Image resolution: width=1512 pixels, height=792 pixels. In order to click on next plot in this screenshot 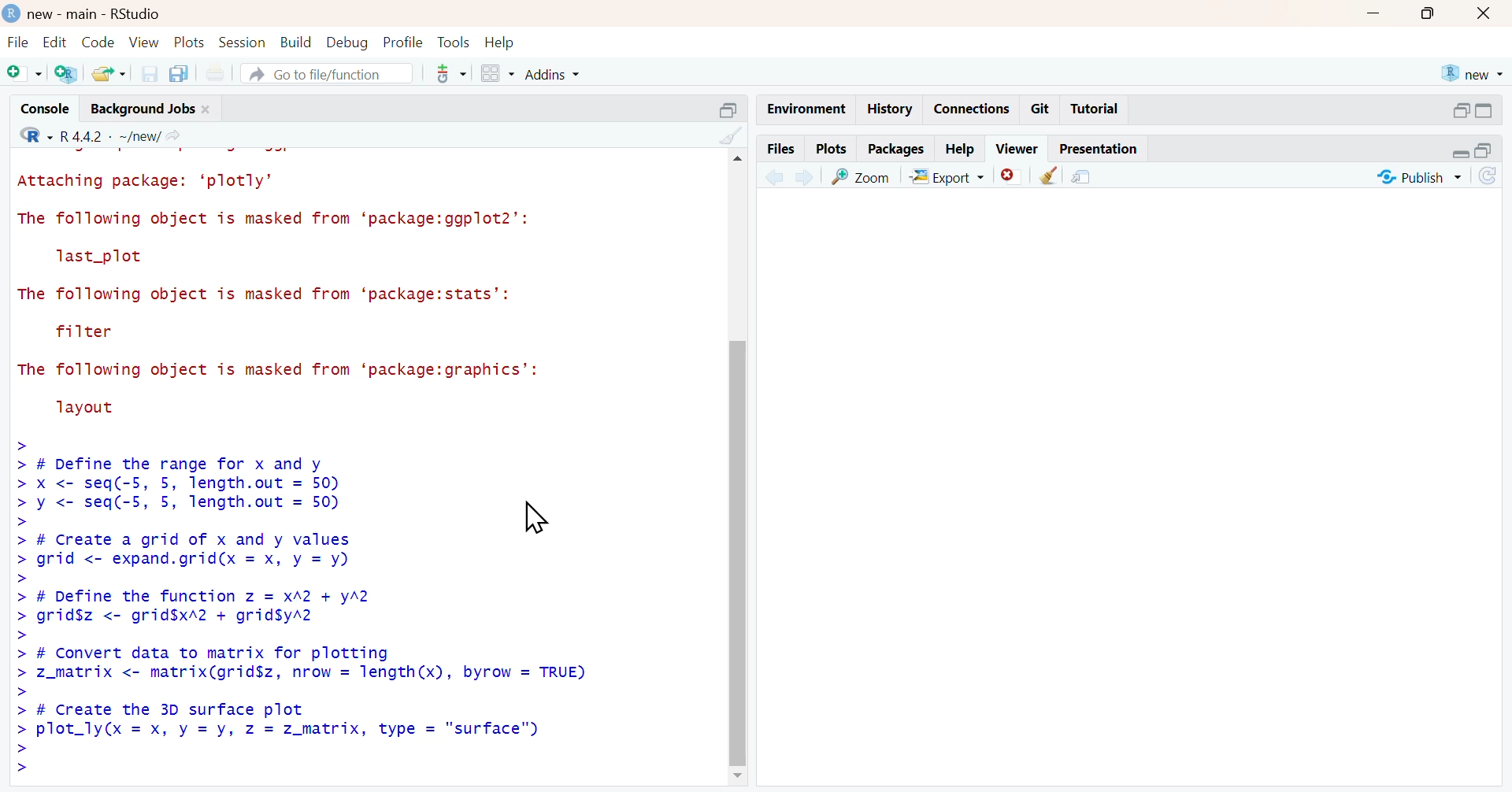, I will do `click(803, 175)`.